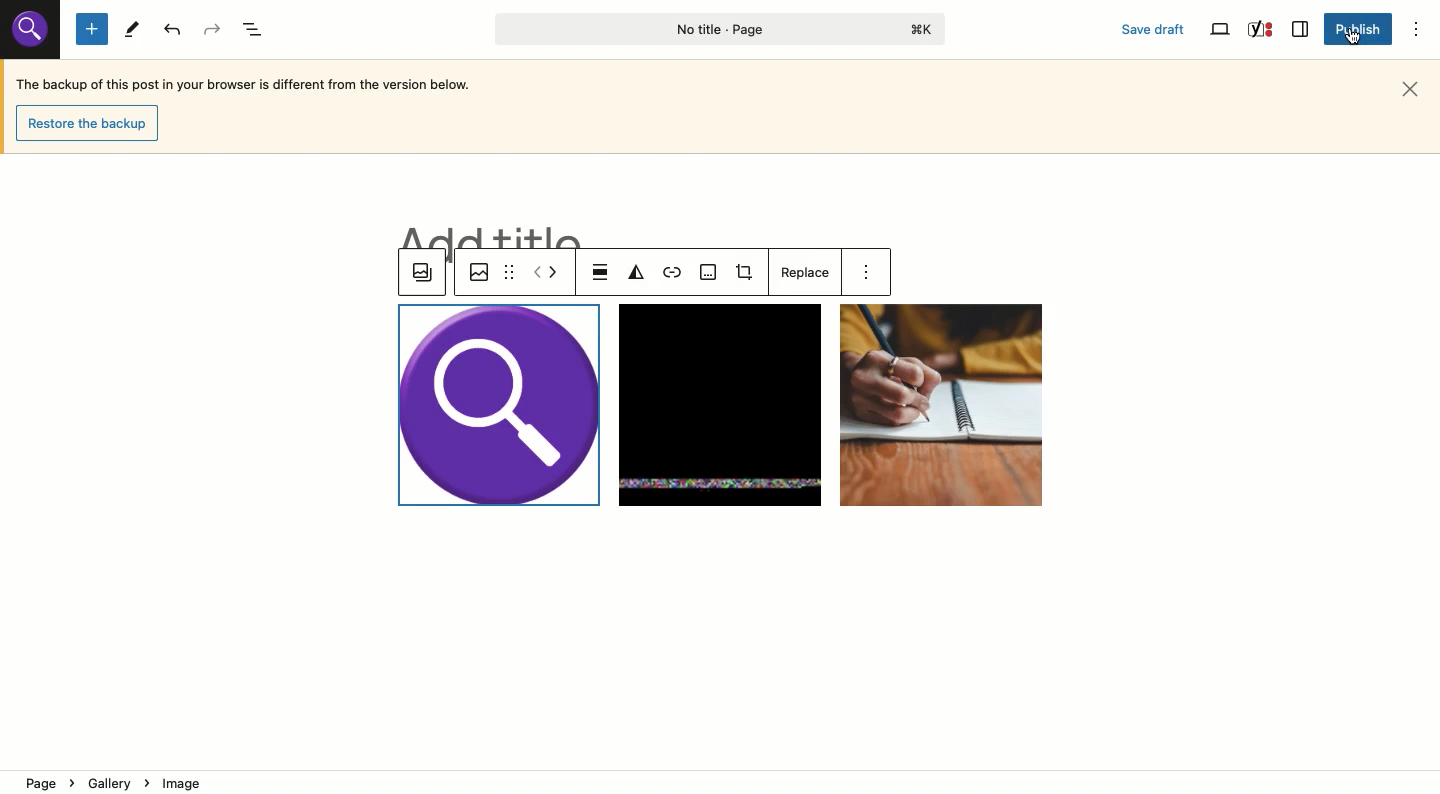 Image resolution: width=1440 pixels, height=794 pixels. Describe the element at coordinates (258, 84) in the screenshot. I see `he backup of this post in your browser is different from the version below.` at that location.